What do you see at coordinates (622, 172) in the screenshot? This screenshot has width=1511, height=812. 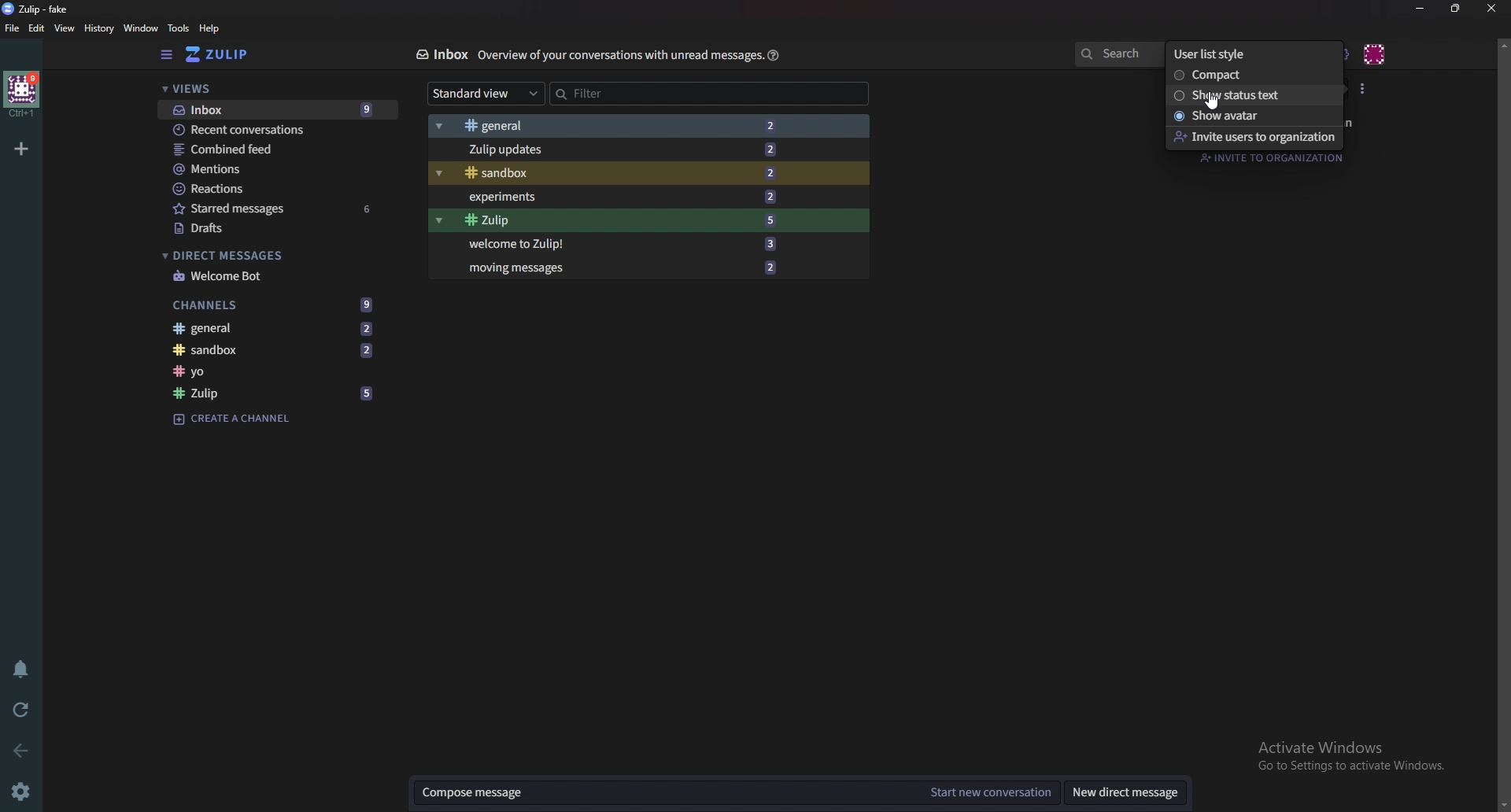 I see `Sandbox` at bounding box center [622, 172].